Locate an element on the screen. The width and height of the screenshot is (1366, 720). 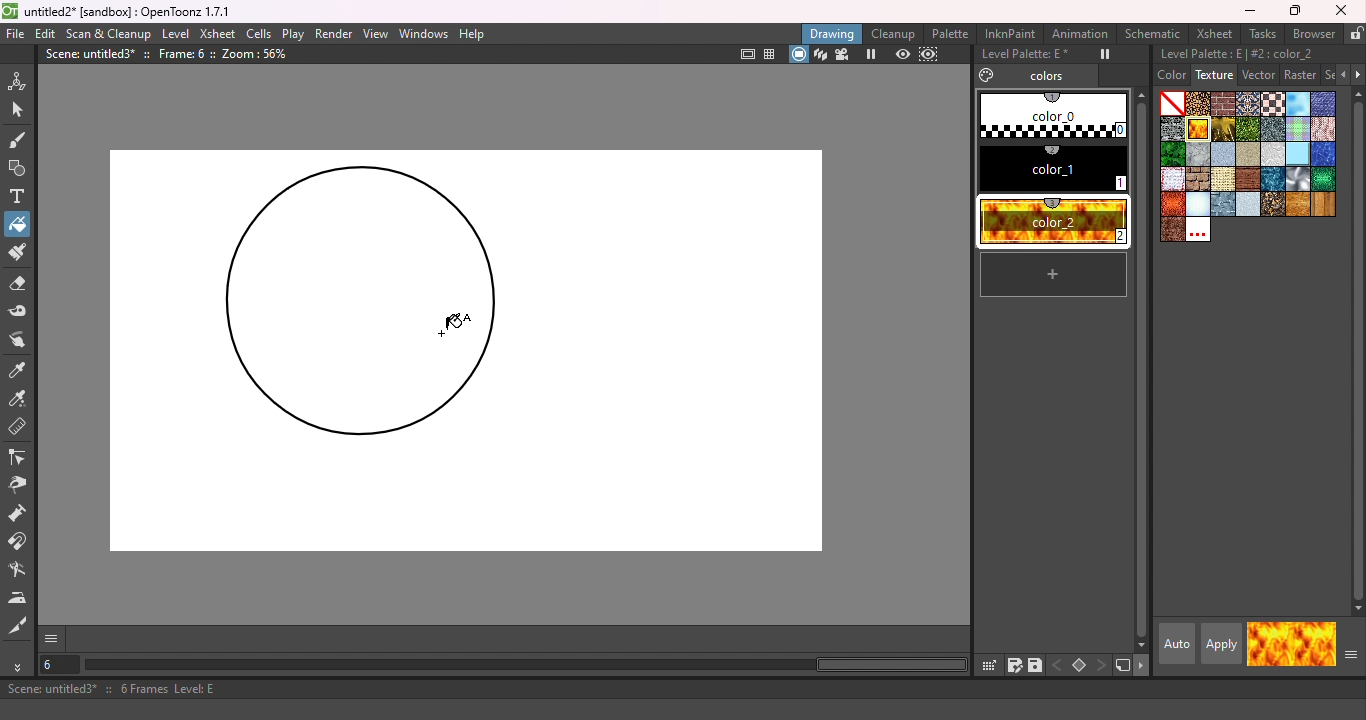
Animate tool is located at coordinates (21, 78).